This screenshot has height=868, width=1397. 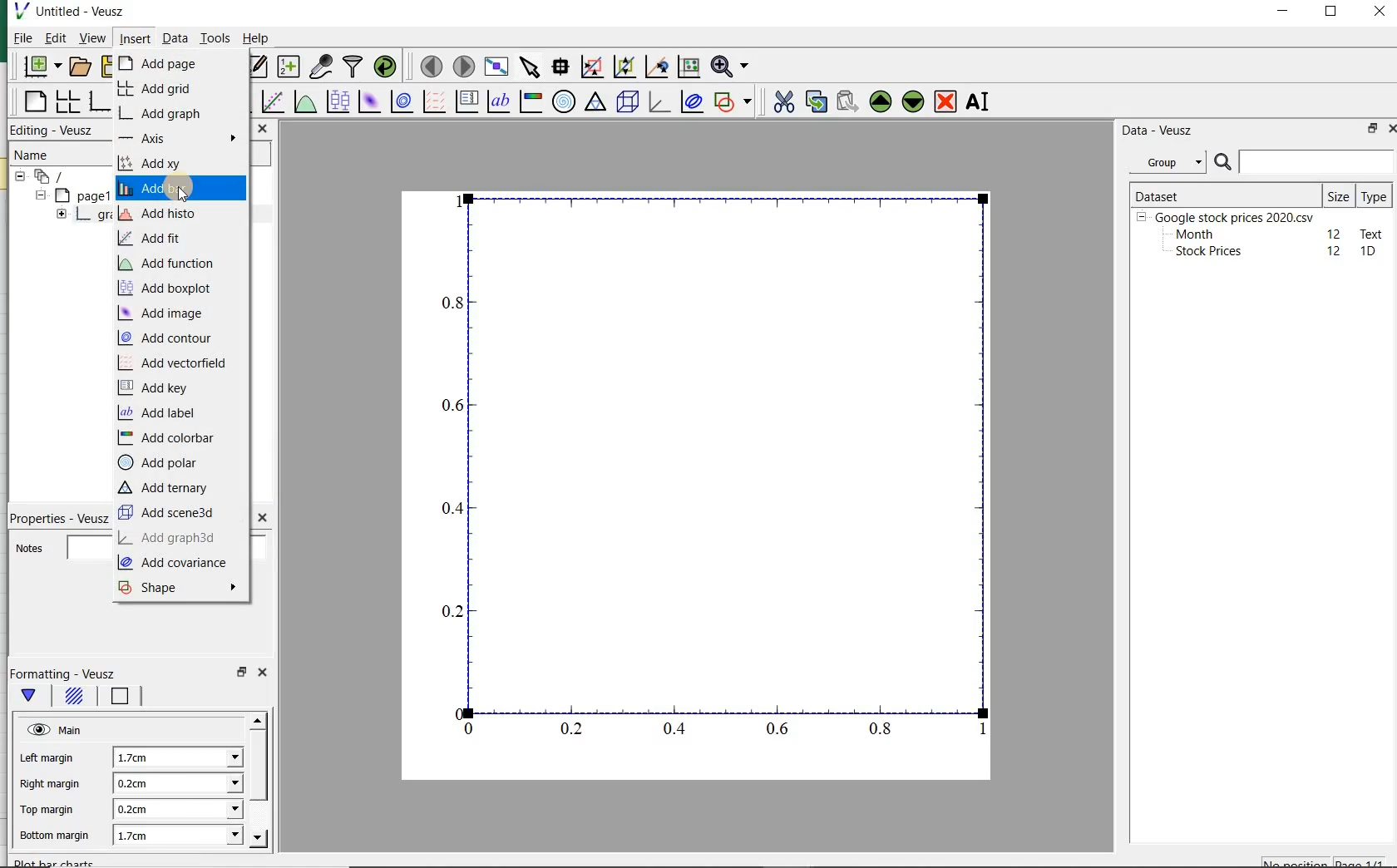 What do you see at coordinates (289, 67) in the screenshot?
I see `create new datasets` at bounding box center [289, 67].